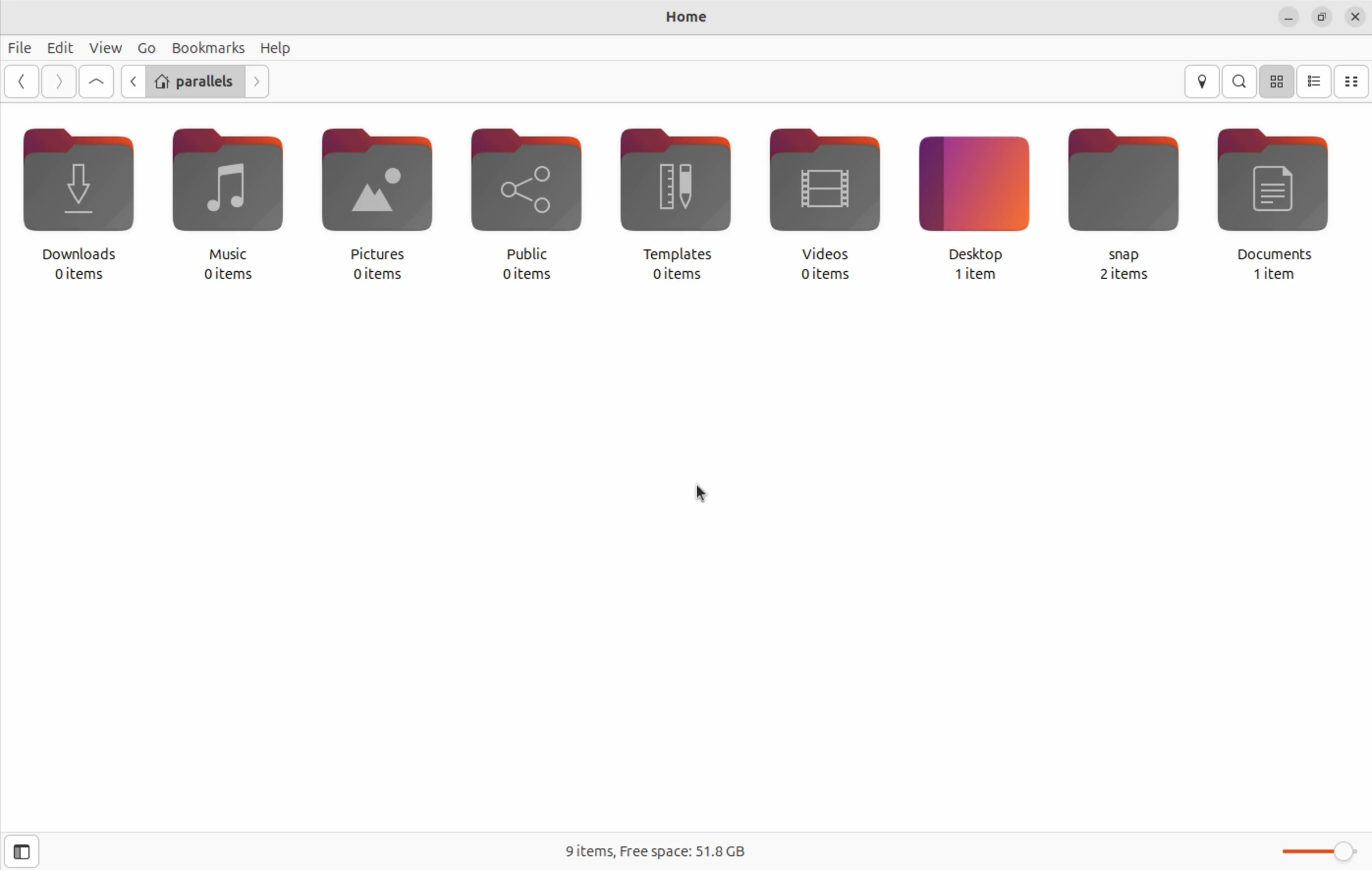 The width and height of the screenshot is (1372, 870). Describe the element at coordinates (823, 191) in the screenshot. I see `videos` at that location.